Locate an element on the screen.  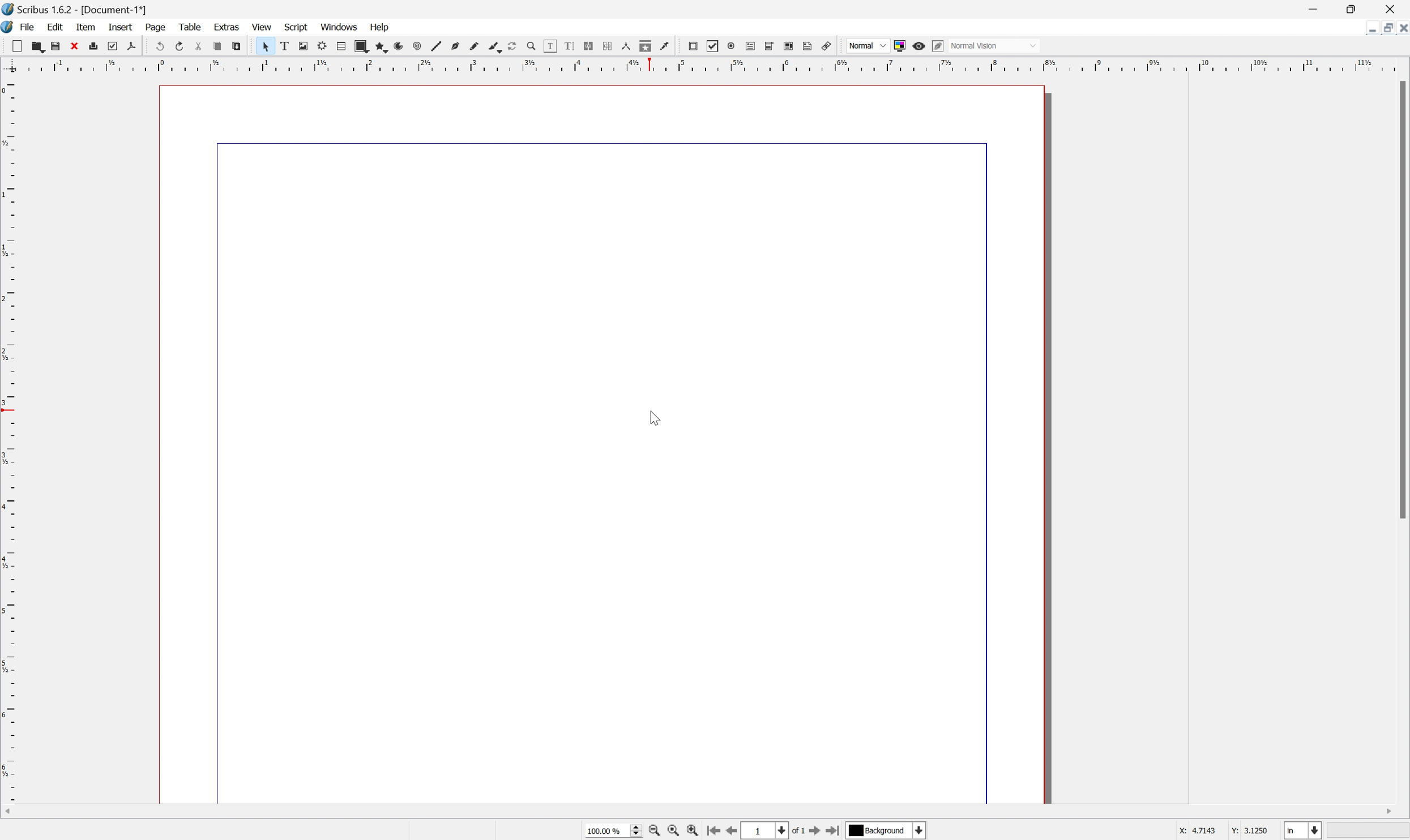
calligraphic line is located at coordinates (498, 47).